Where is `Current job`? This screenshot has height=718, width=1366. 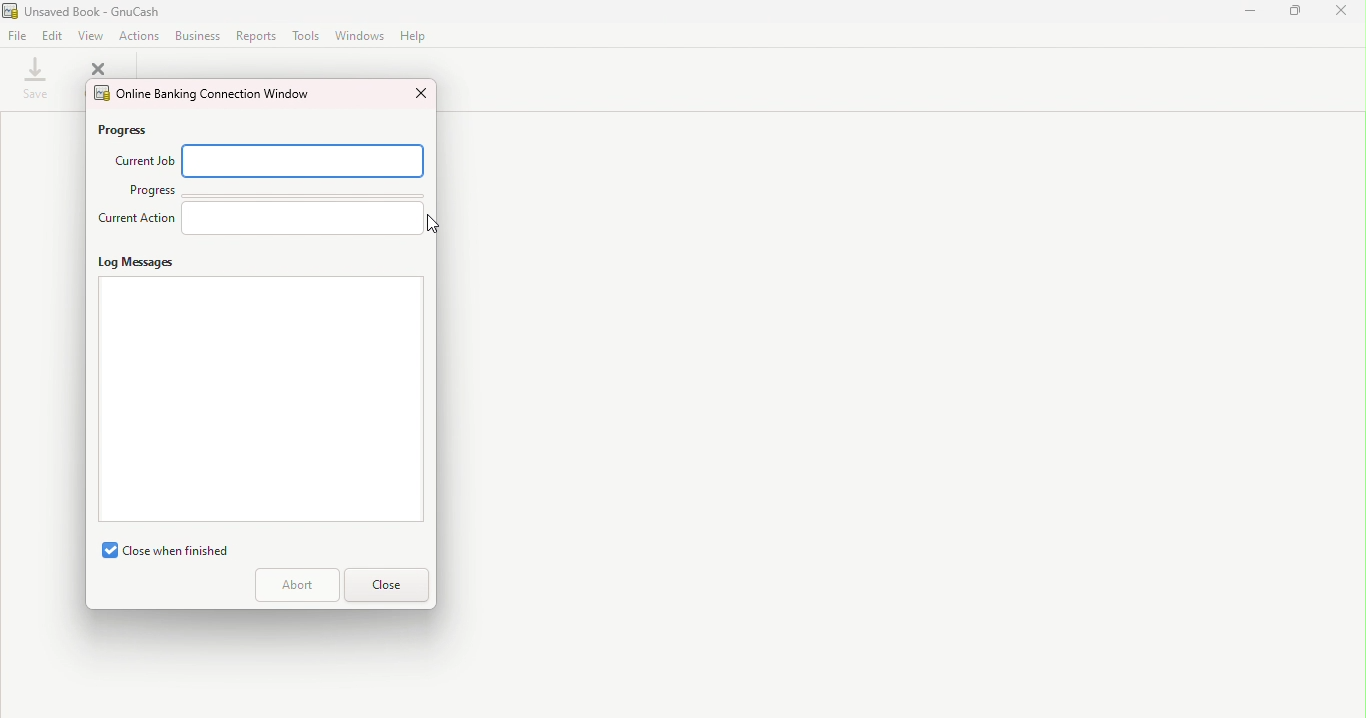 Current job is located at coordinates (143, 159).